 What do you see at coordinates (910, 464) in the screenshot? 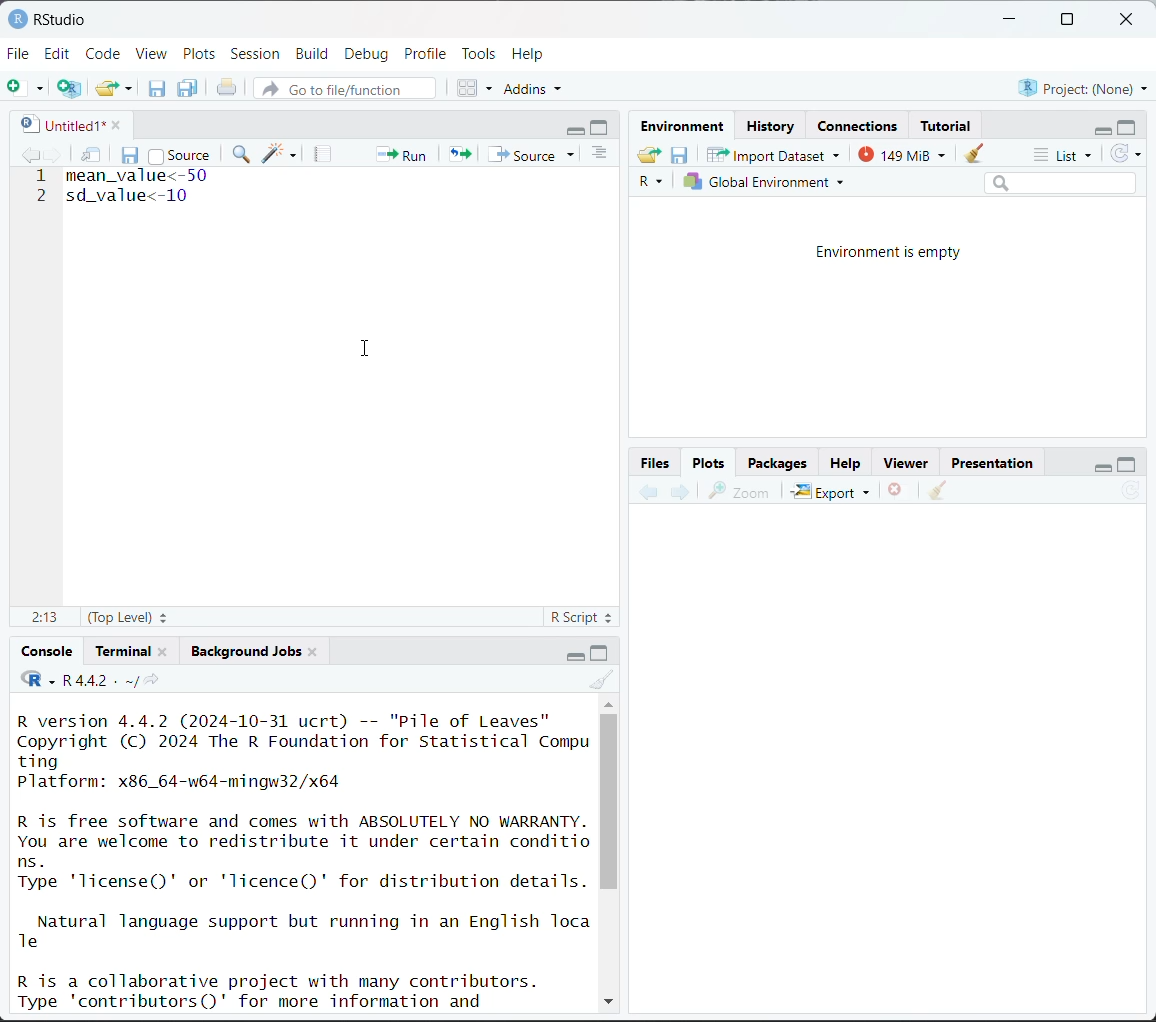
I see `Viewer` at bounding box center [910, 464].